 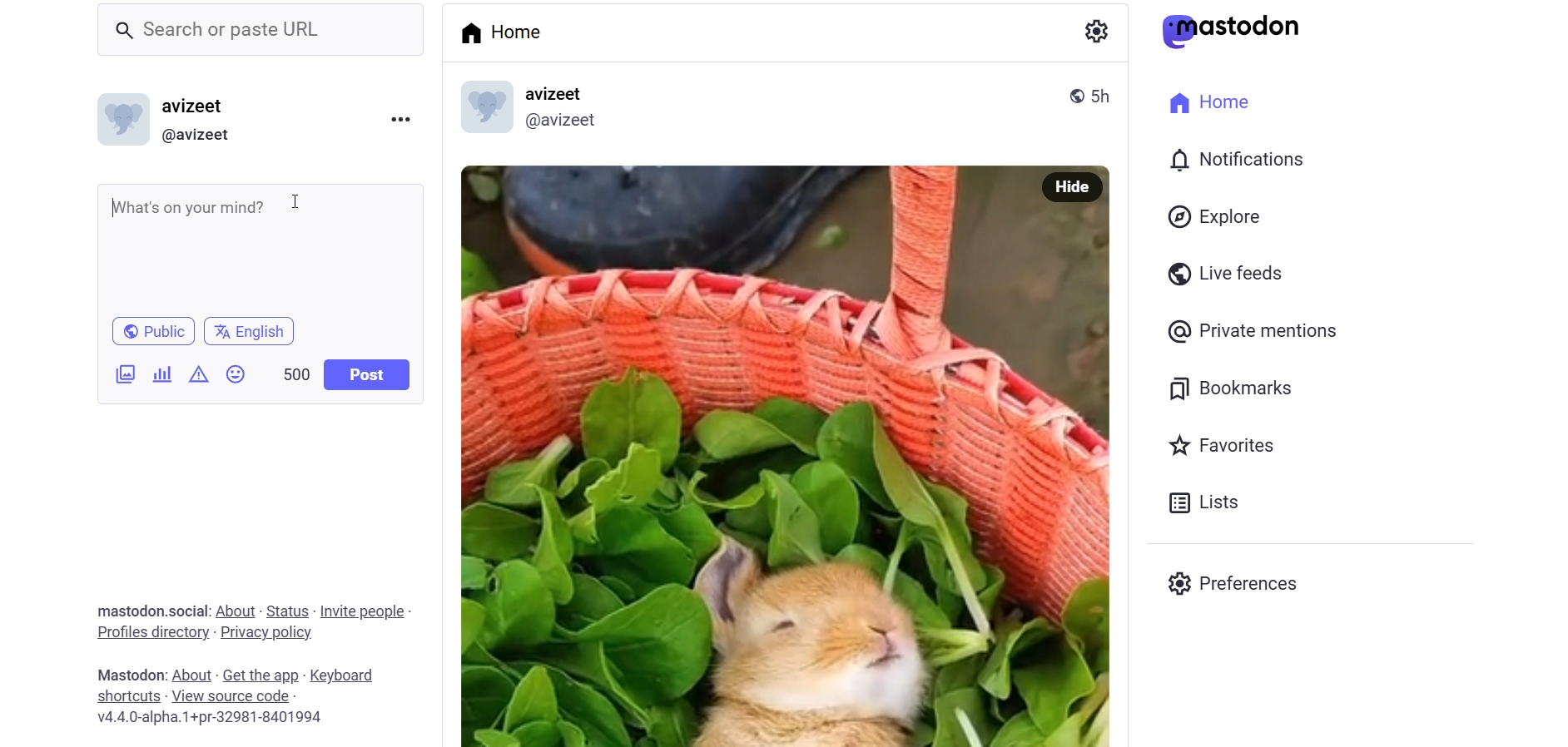 I want to click on more, so click(x=408, y=121).